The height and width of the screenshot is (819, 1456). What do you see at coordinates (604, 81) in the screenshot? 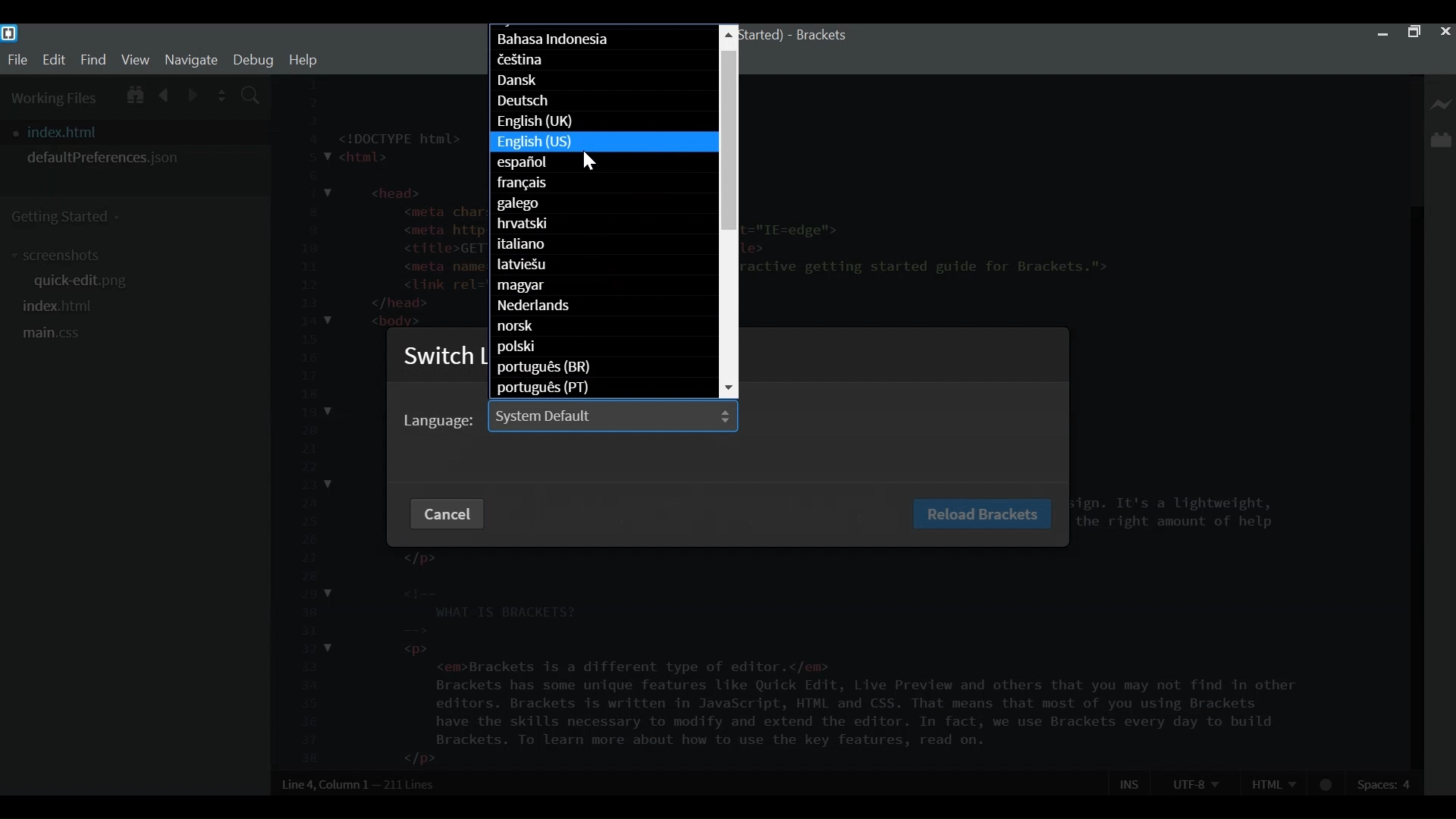
I see `Dansk` at bounding box center [604, 81].